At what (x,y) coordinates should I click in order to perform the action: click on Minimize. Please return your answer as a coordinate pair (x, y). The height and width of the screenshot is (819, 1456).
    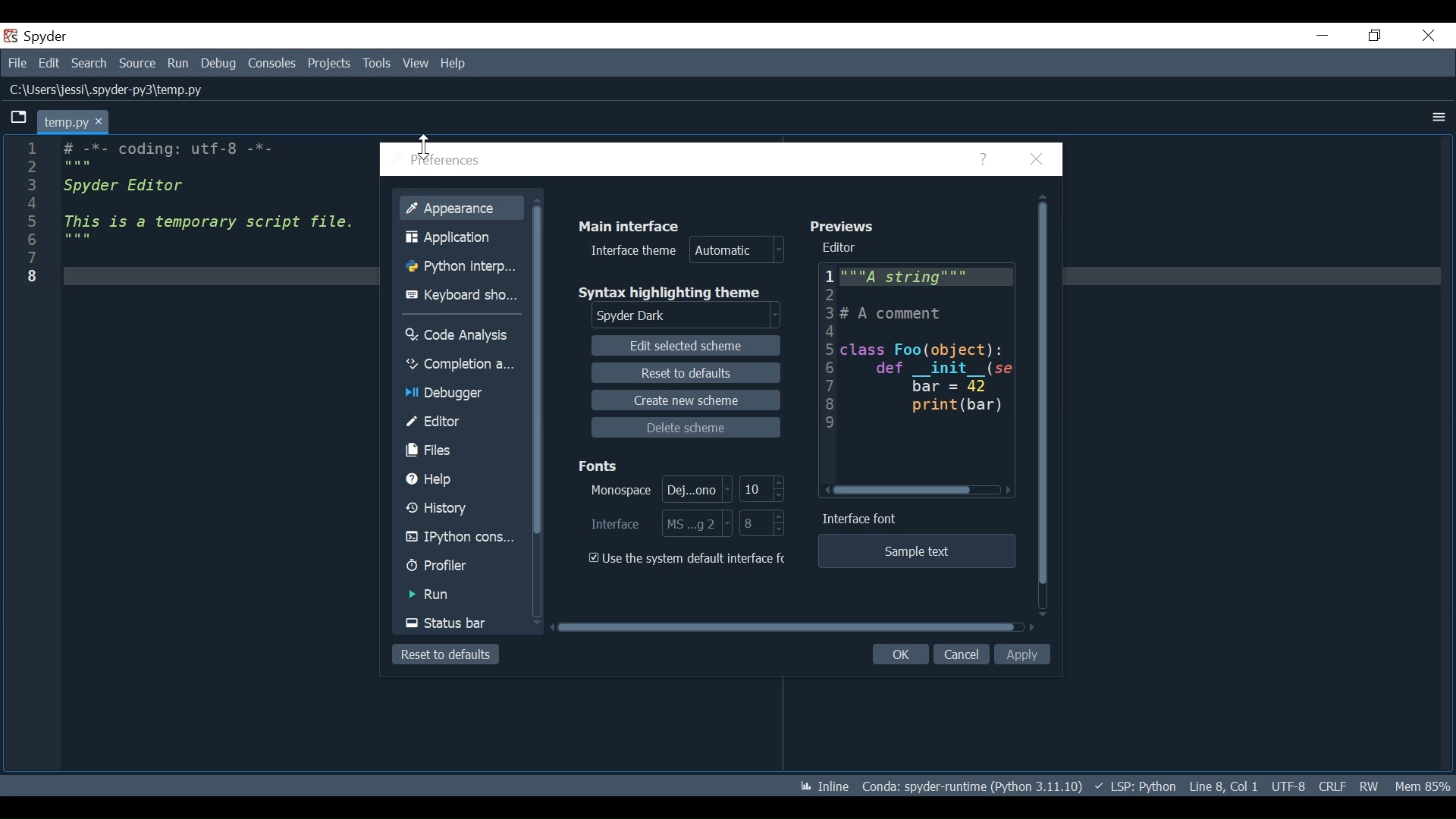
    Looking at the image, I should click on (1323, 36).